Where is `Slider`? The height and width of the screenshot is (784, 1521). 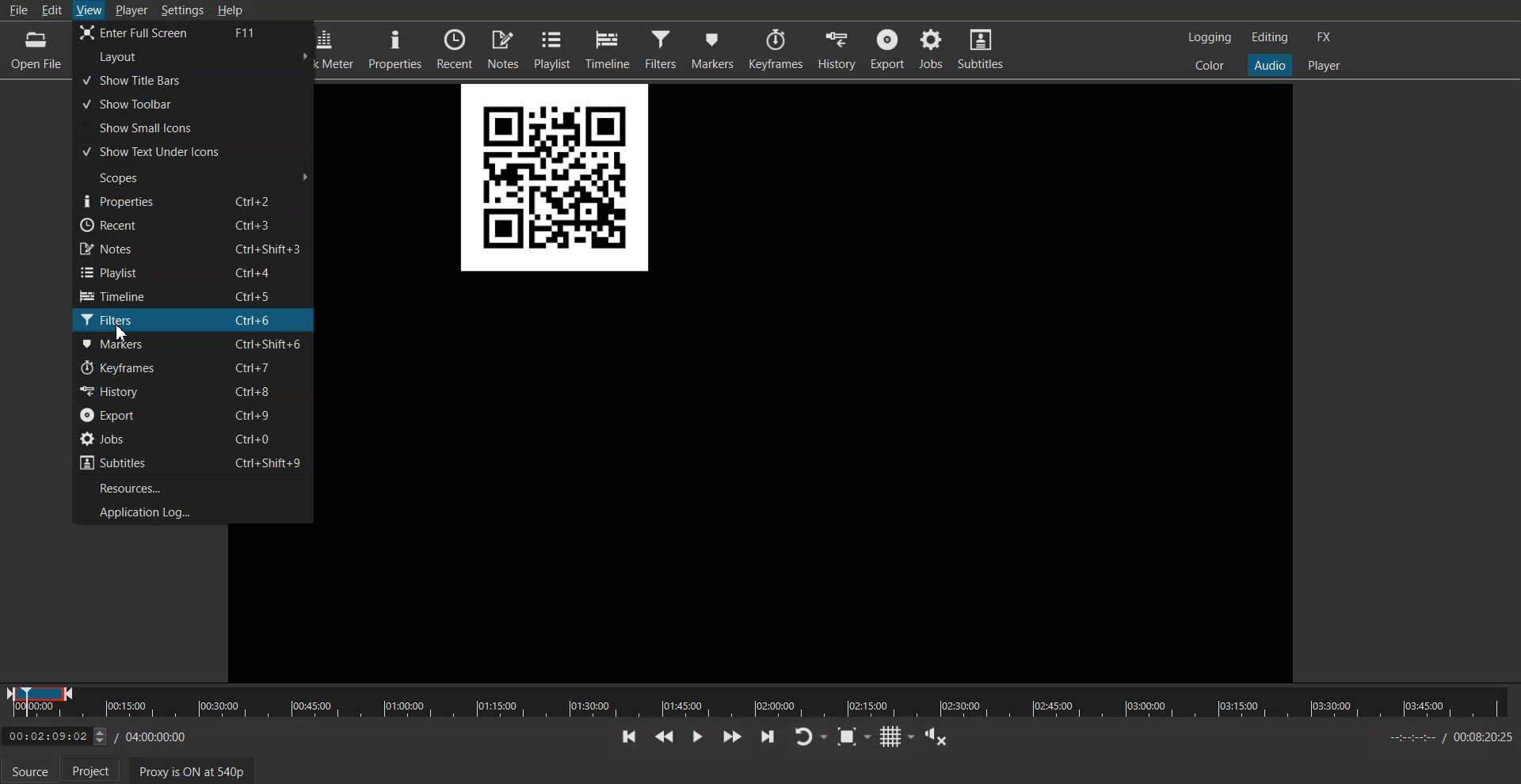
Slider is located at coordinates (760, 701).